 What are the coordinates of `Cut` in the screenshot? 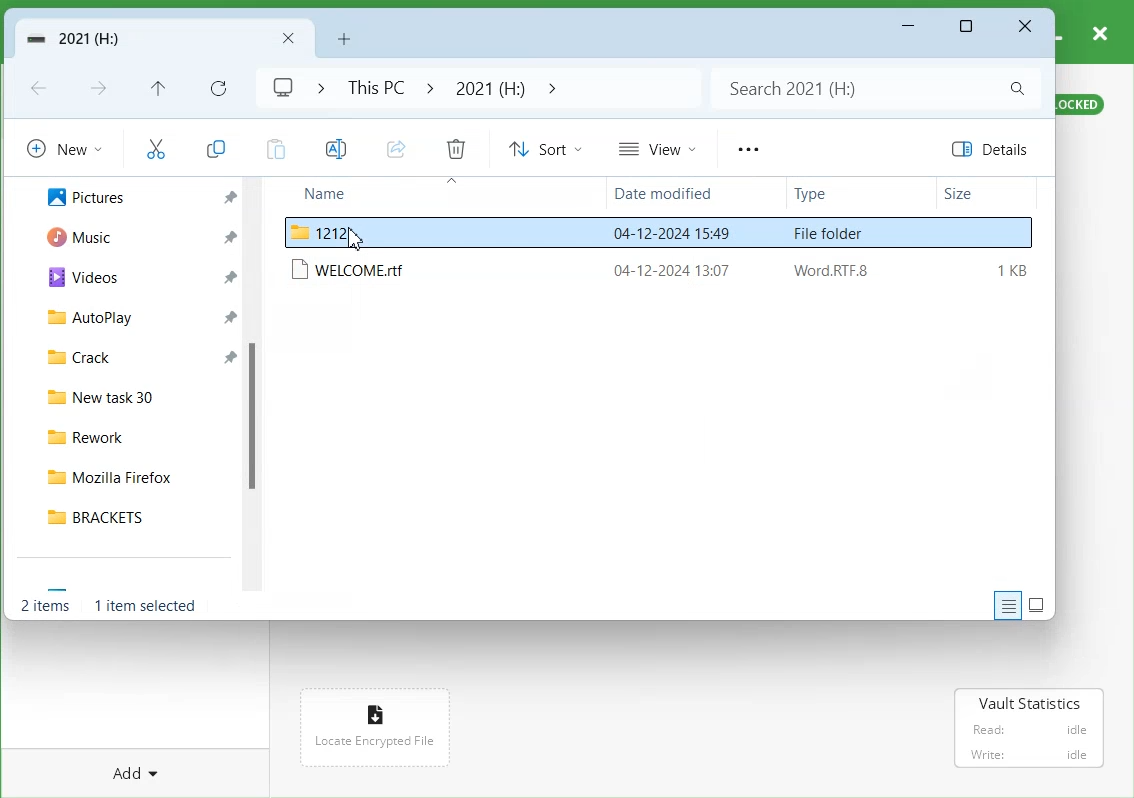 It's located at (155, 147).